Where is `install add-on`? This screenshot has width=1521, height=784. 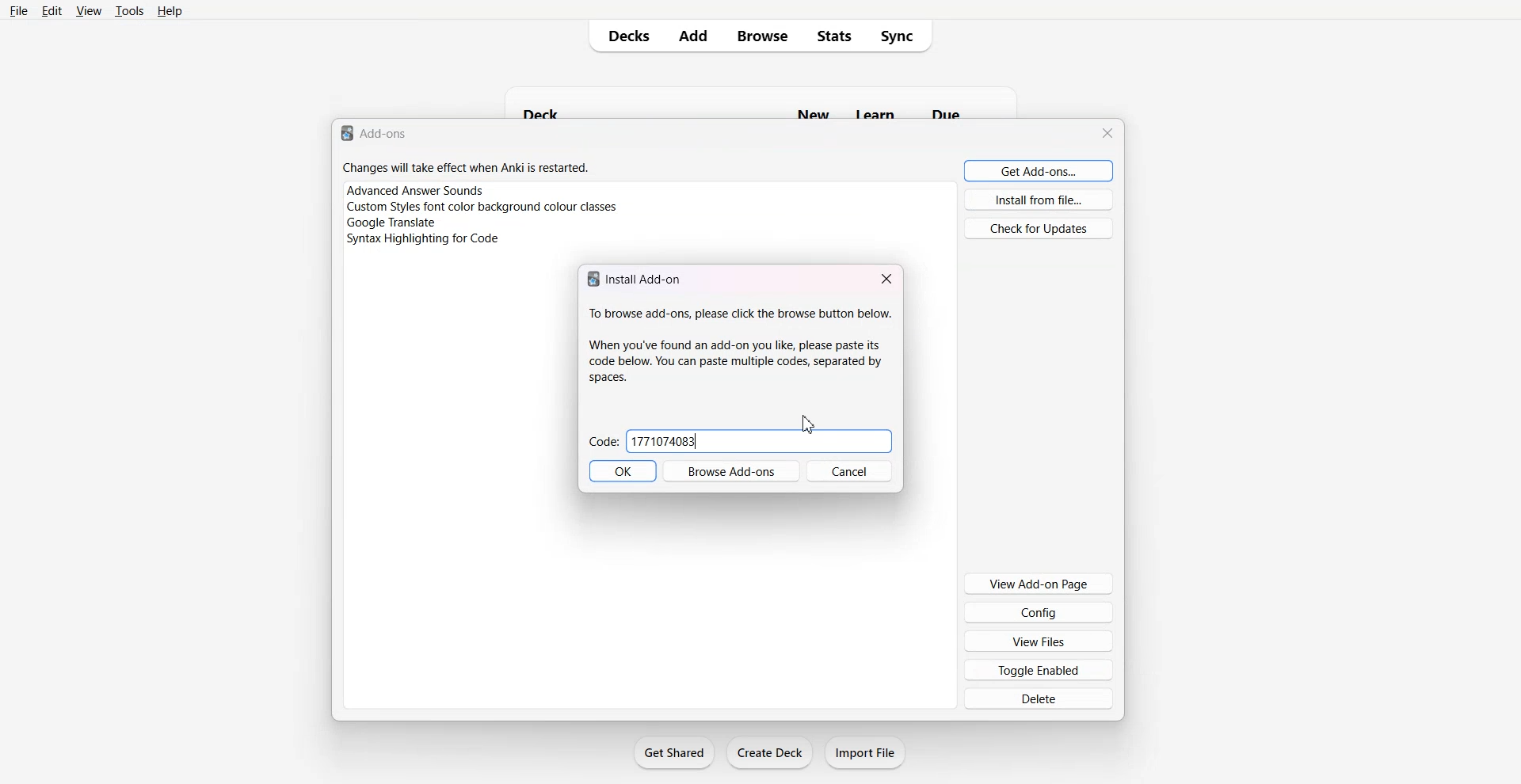 install add-on is located at coordinates (638, 277).